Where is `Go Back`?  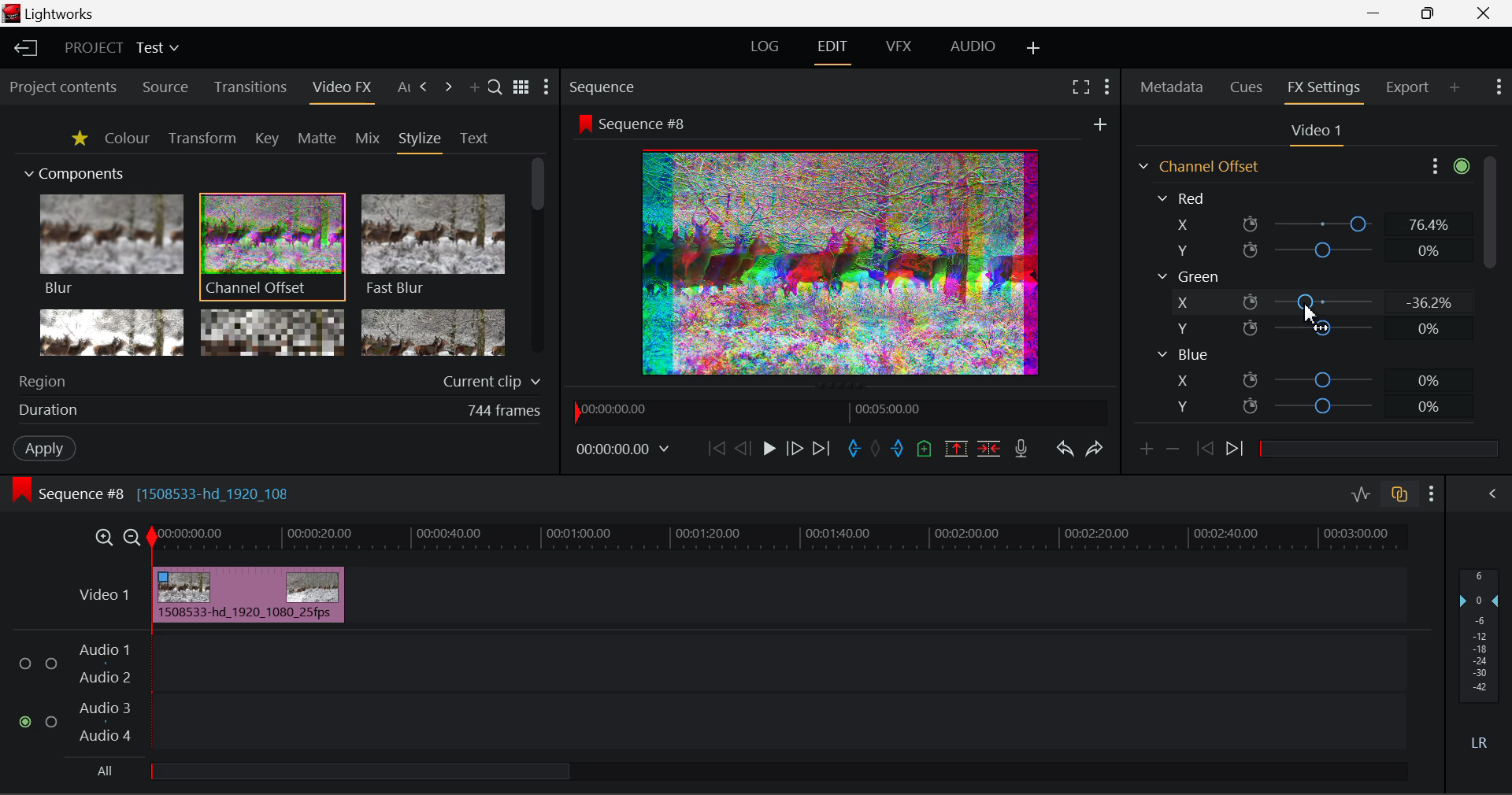 Go Back is located at coordinates (741, 449).